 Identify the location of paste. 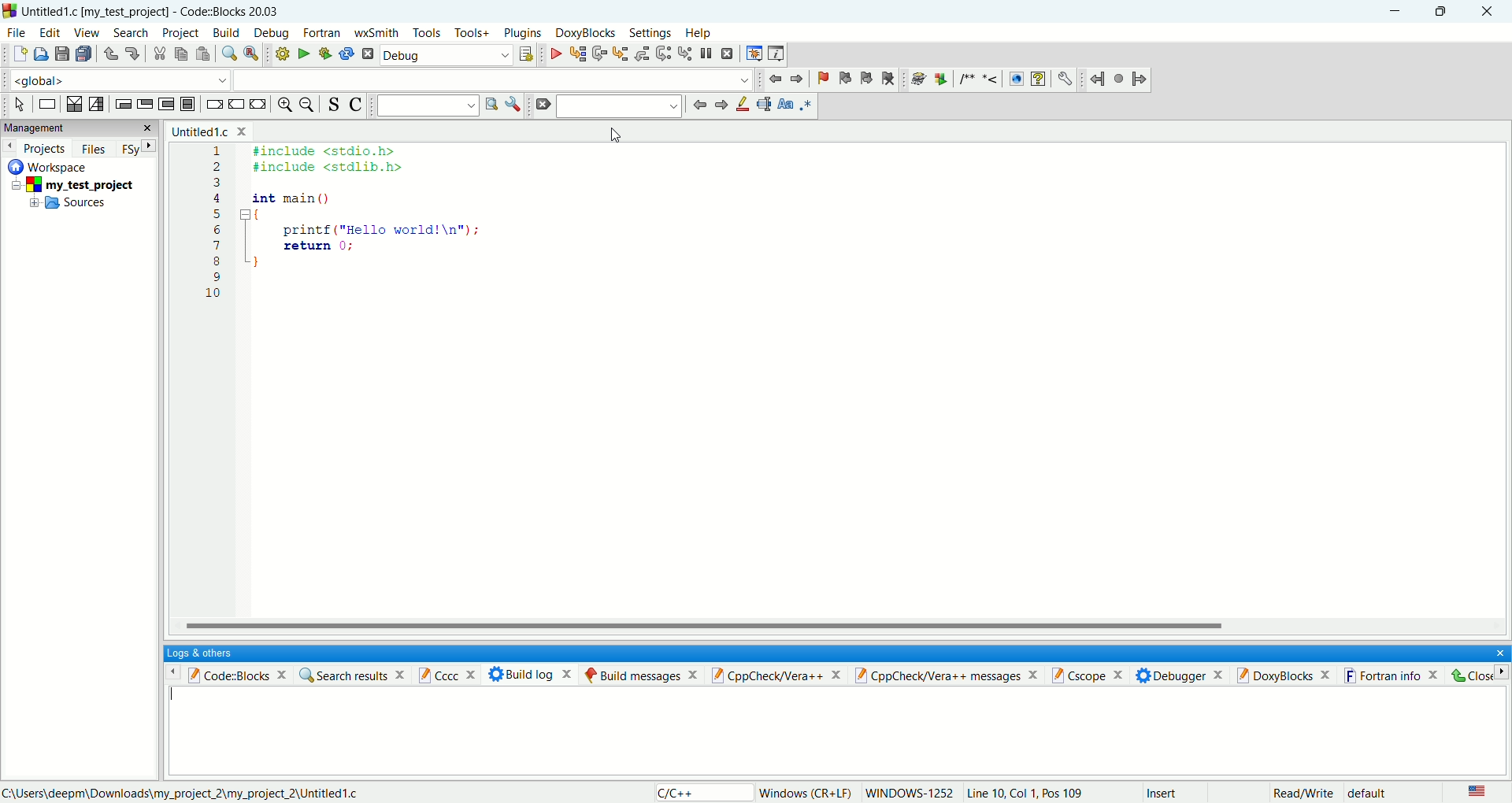
(202, 54).